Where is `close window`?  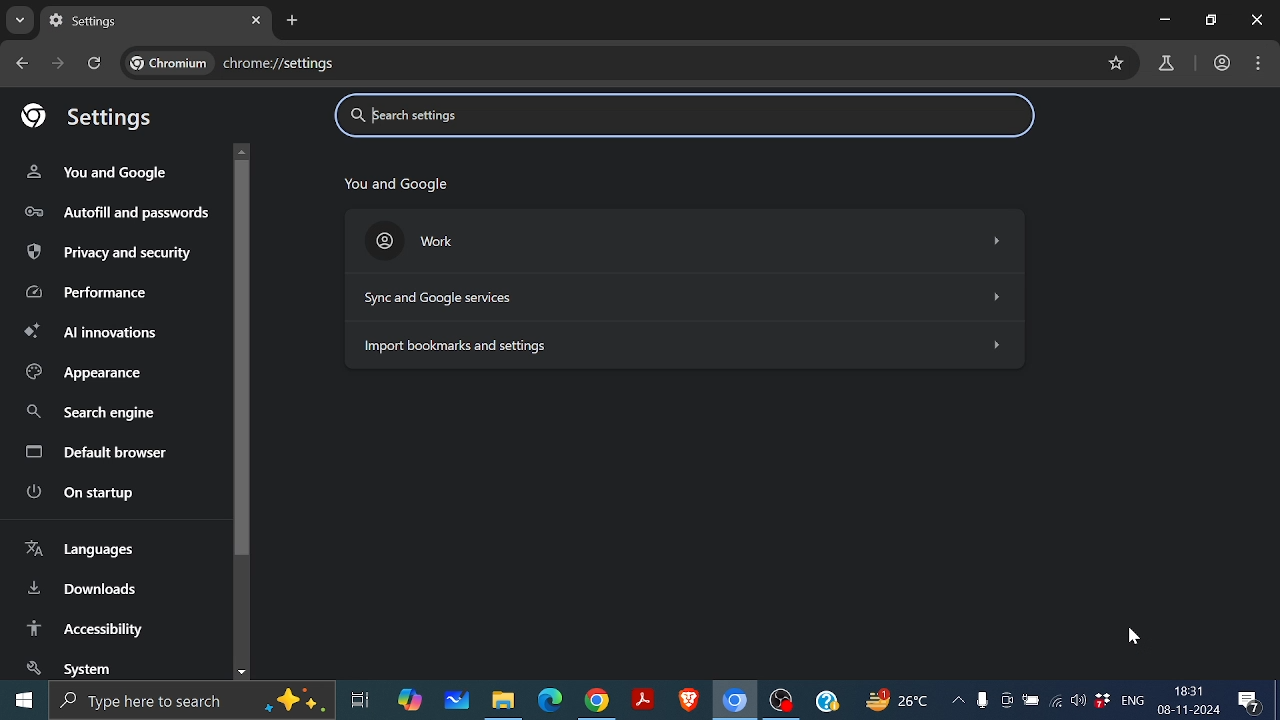
close window is located at coordinates (1256, 19).